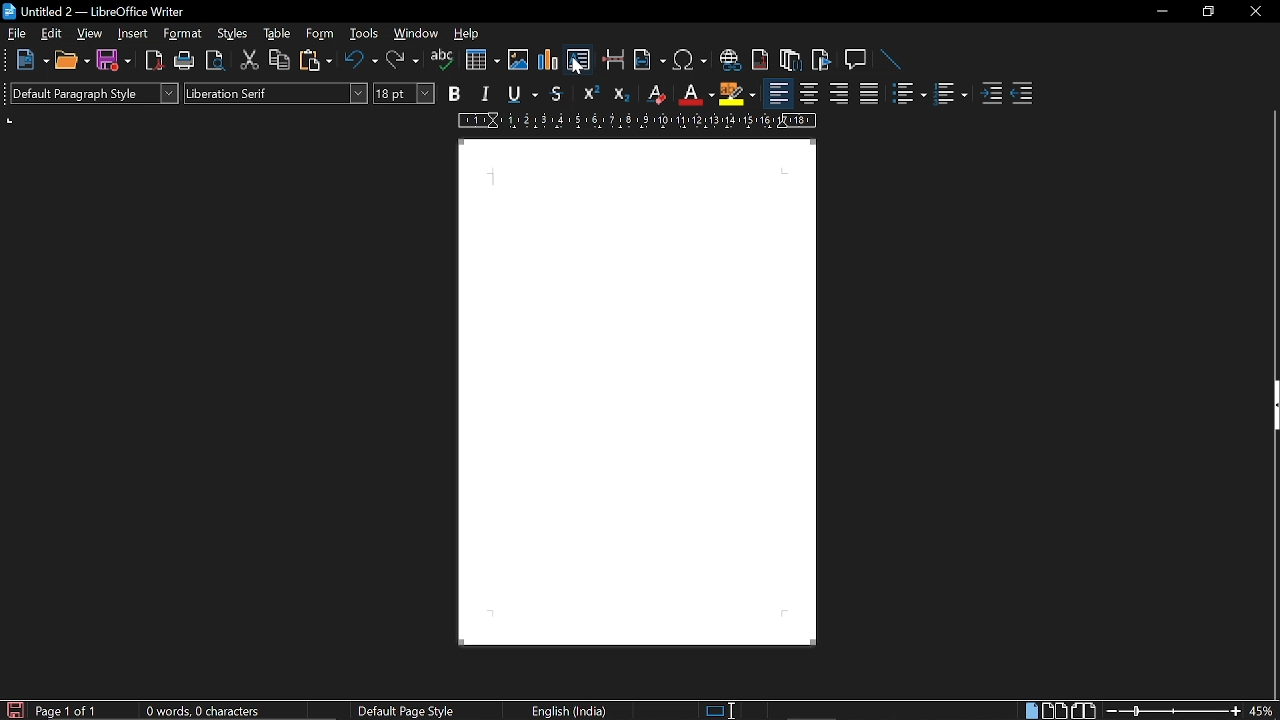 This screenshot has height=720, width=1280. I want to click on superscript, so click(590, 93).